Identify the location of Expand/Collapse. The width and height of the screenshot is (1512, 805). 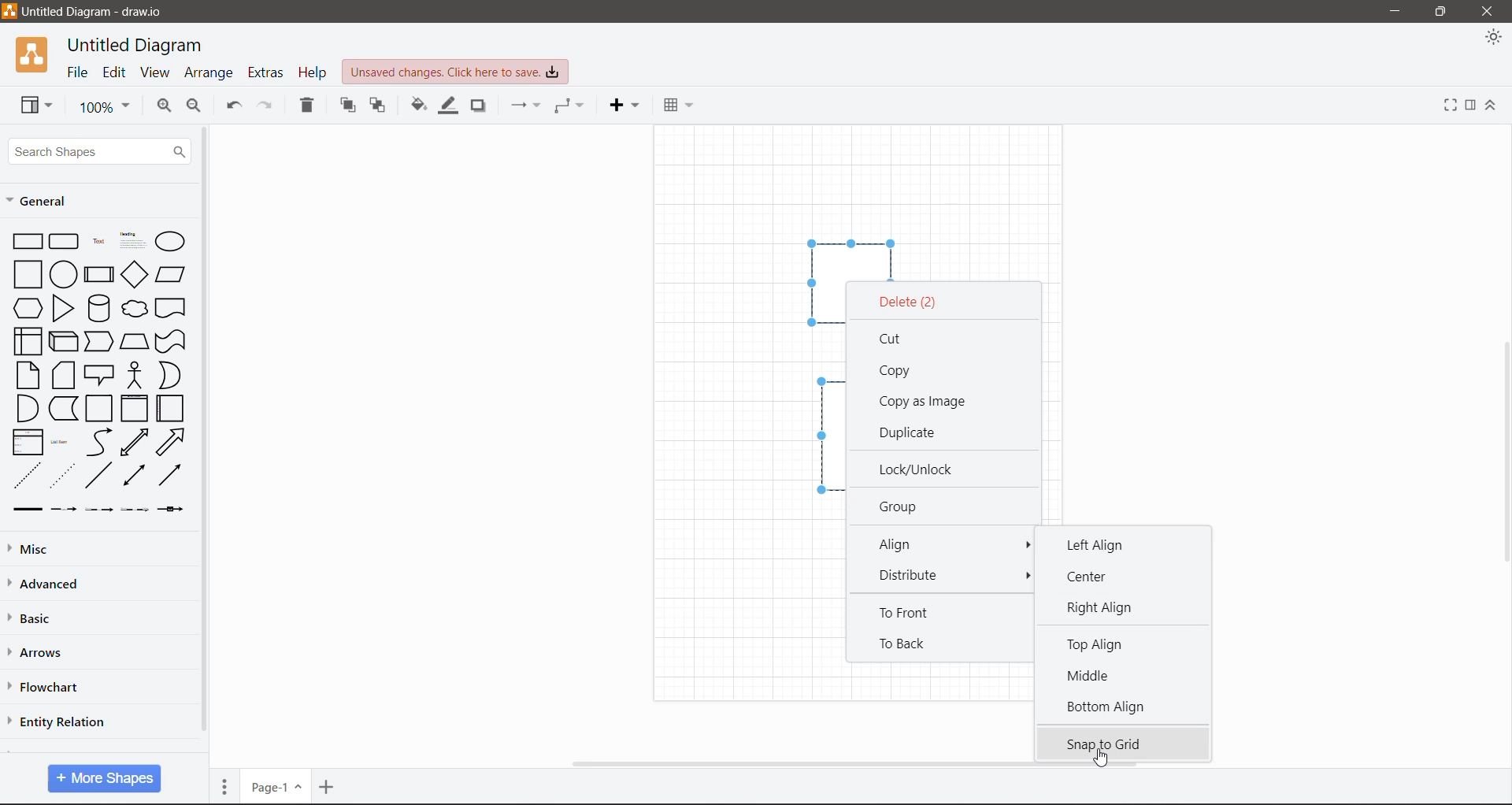
(1492, 106).